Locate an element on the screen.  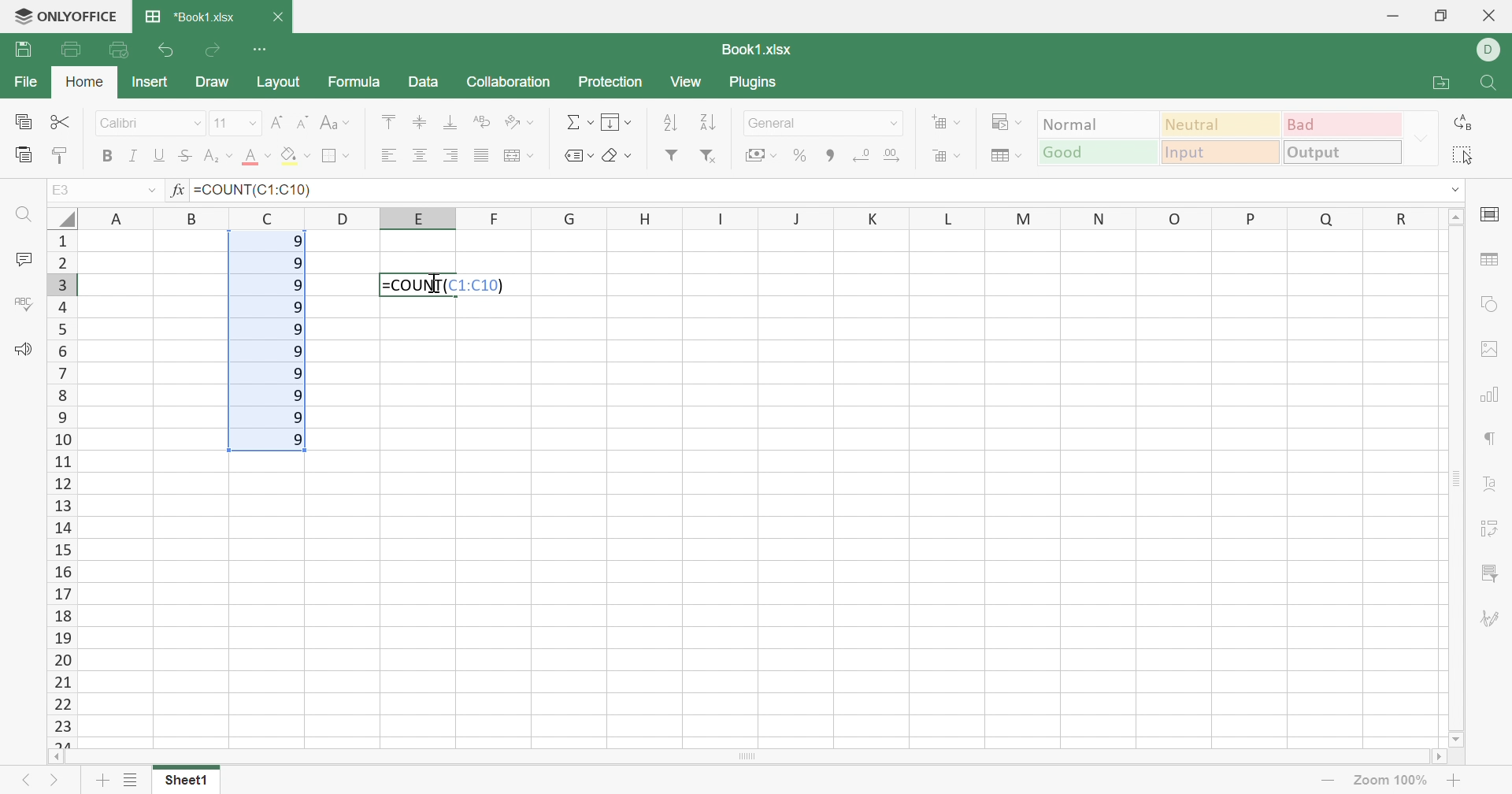
=COUNT(C1:C10) is located at coordinates (447, 284).